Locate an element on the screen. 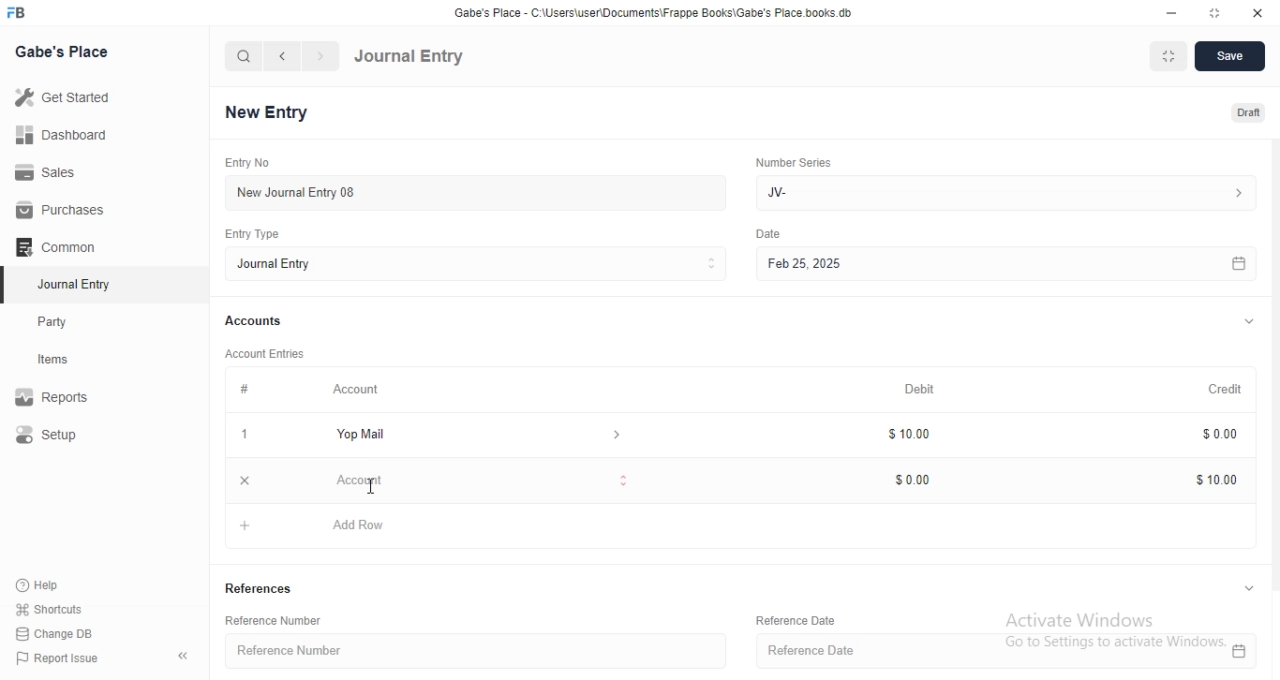 The image size is (1280, 680). Account is located at coordinates (358, 391).